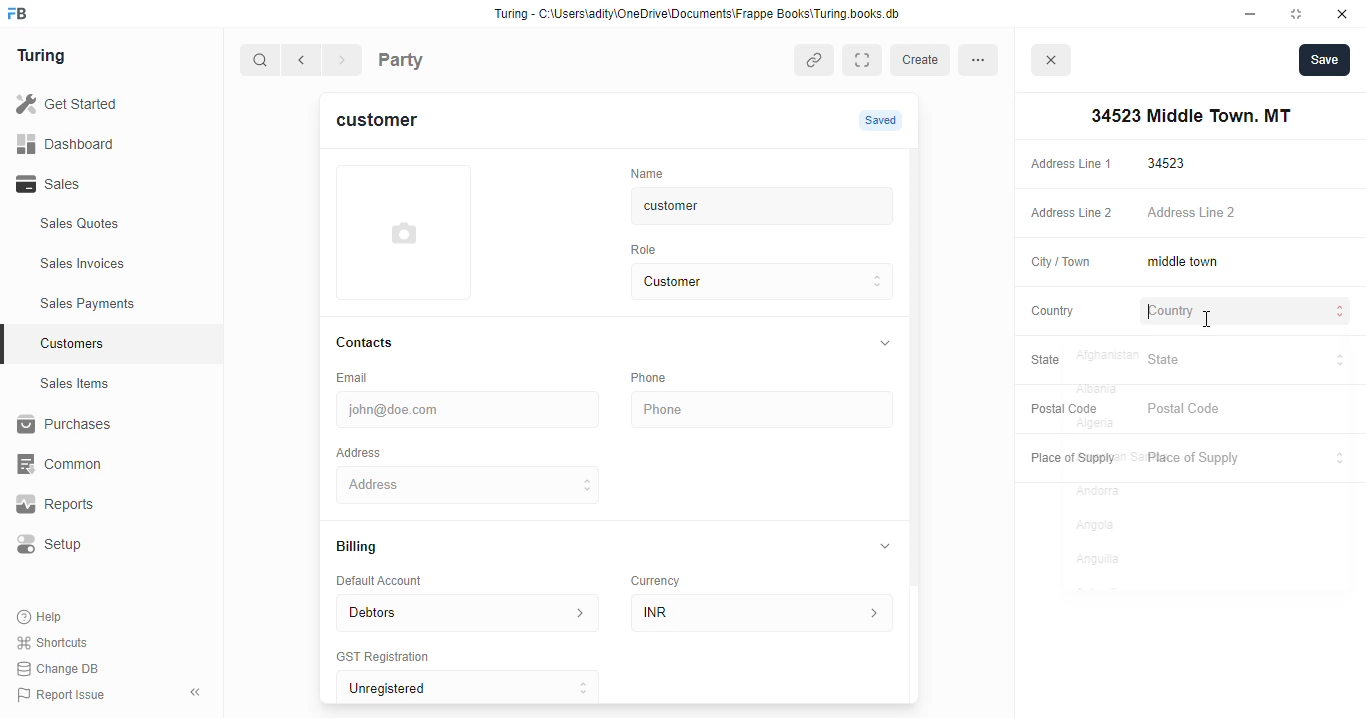 The height and width of the screenshot is (718, 1366). Describe the element at coordinates (1187, 116) in the screenshot. I see `34523 Middle Town. MT` at that location.